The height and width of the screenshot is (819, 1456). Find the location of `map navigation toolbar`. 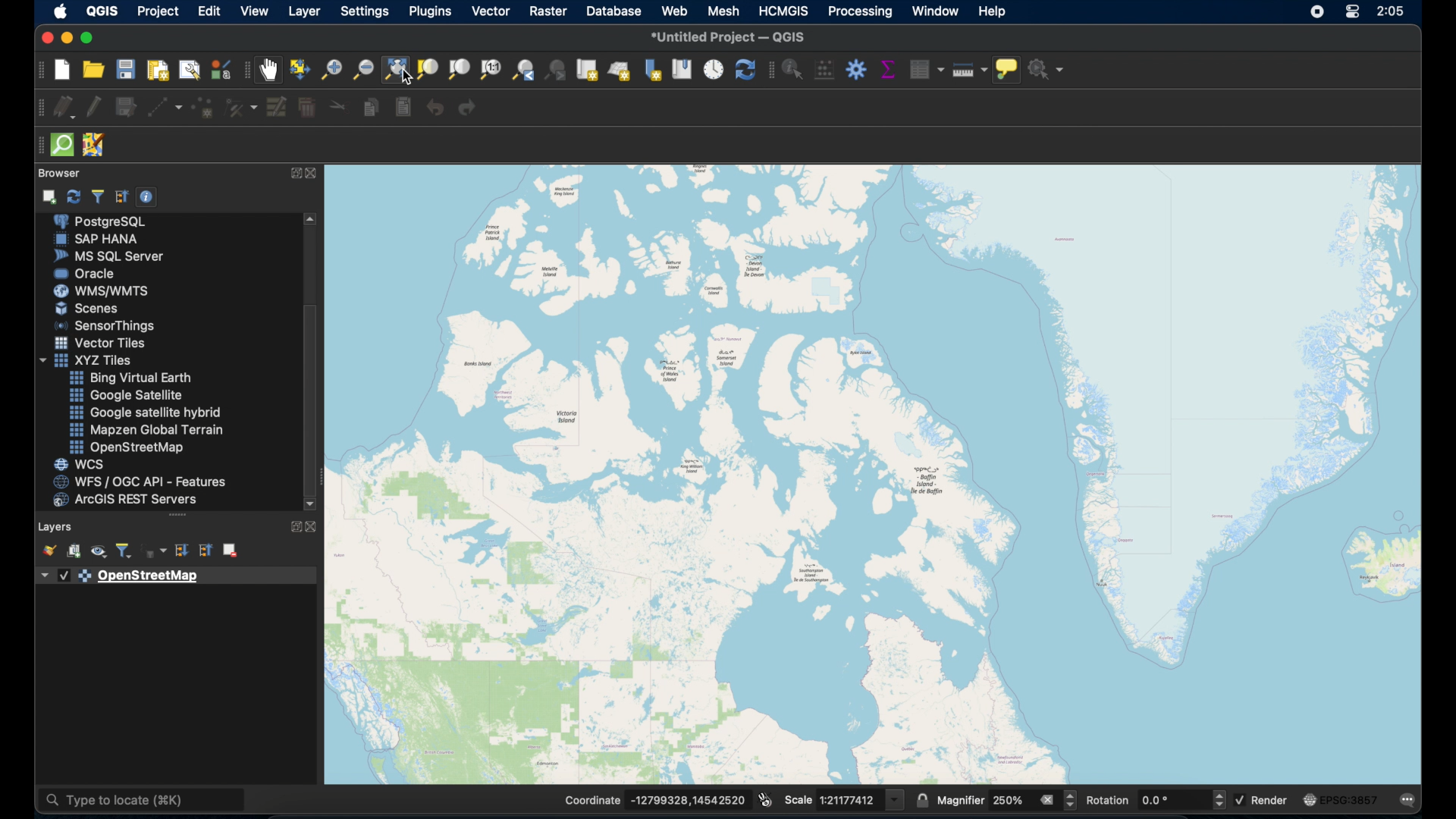

map navigation toolbar is located at coordinates (243, 70).